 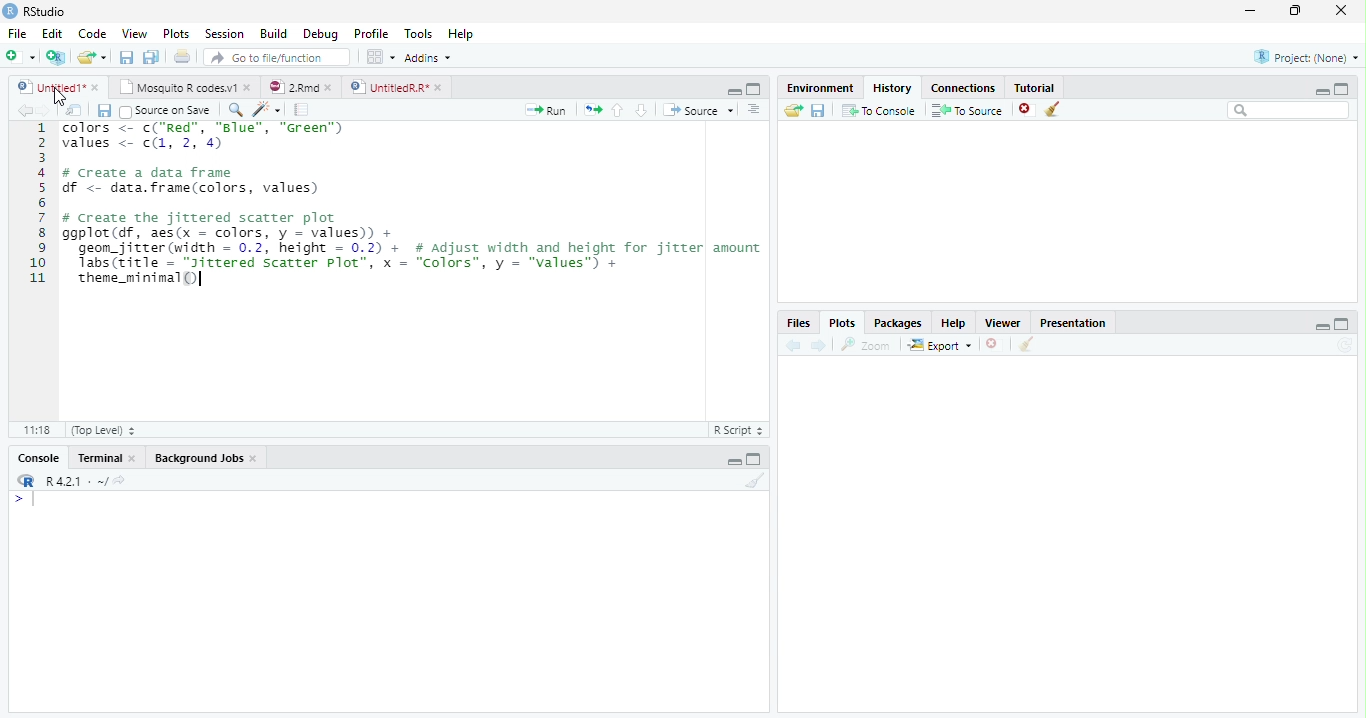 What do you see at coordinates (641, 110) in the screenshot?
I see `Go to next section/chunk` at bounding box center [641, 110].